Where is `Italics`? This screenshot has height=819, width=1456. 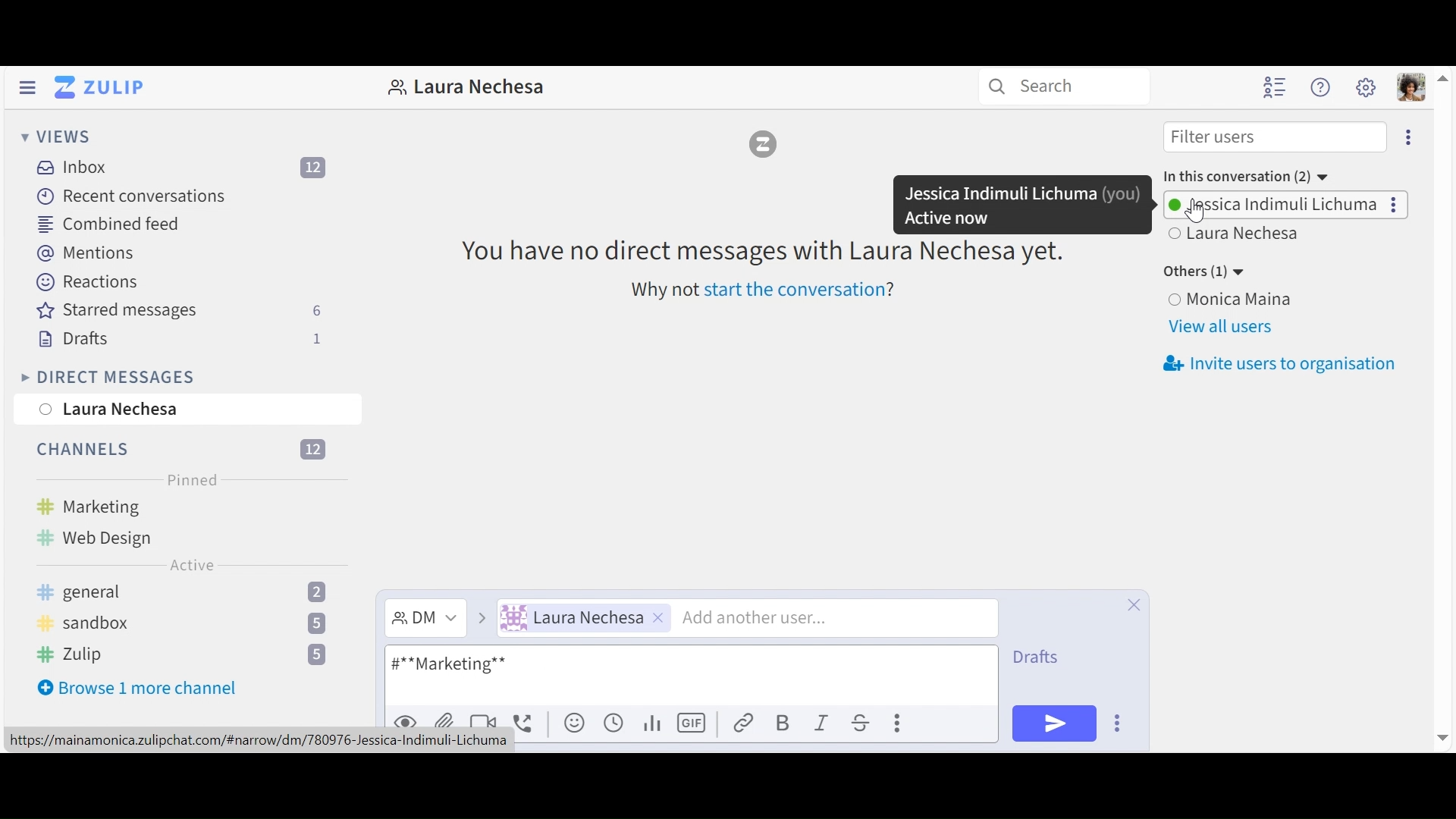
Italics is located at coordinates (822, 724).